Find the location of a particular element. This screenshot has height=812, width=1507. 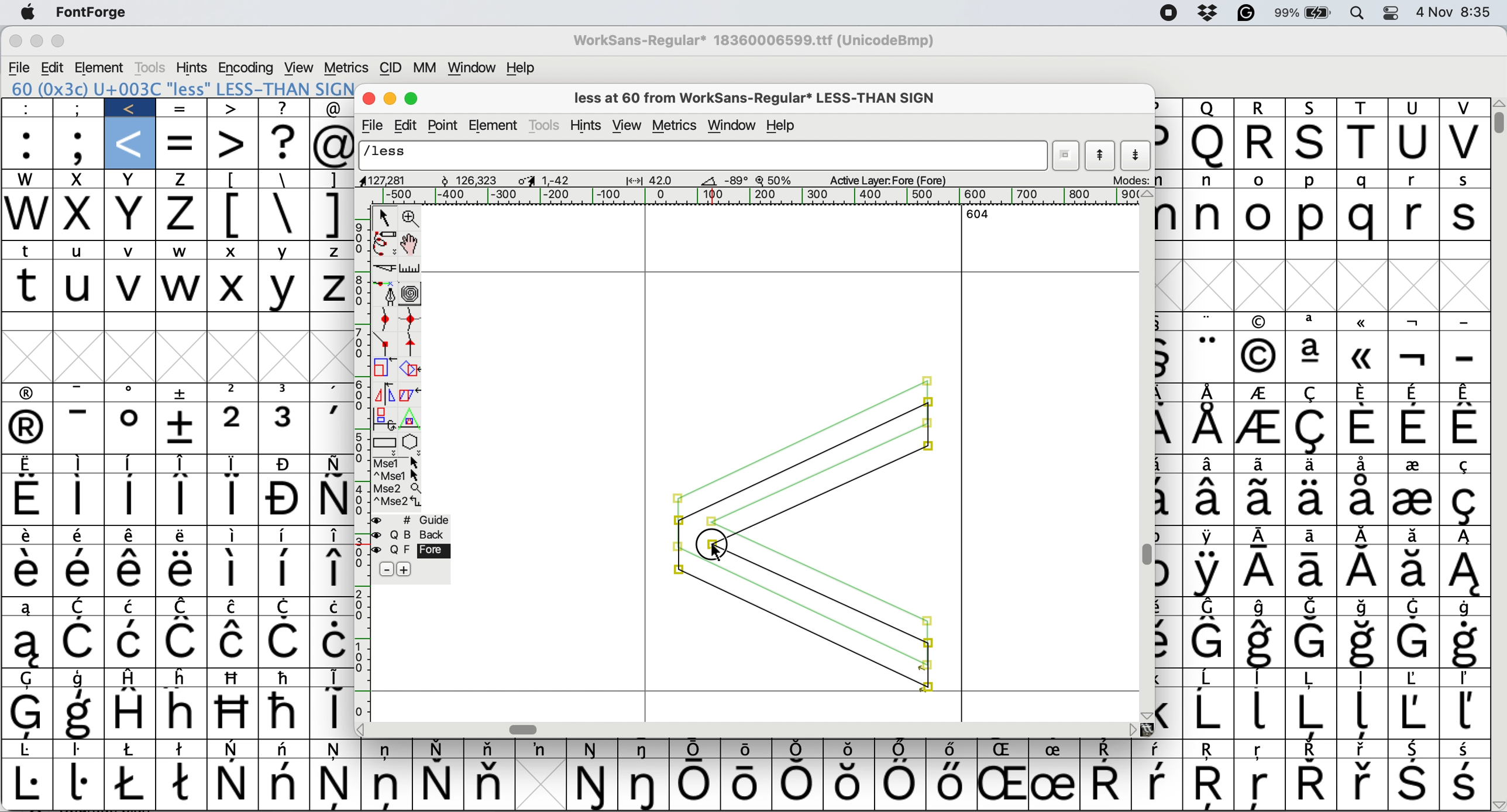

Symbol is located at coordinates (29, 679).